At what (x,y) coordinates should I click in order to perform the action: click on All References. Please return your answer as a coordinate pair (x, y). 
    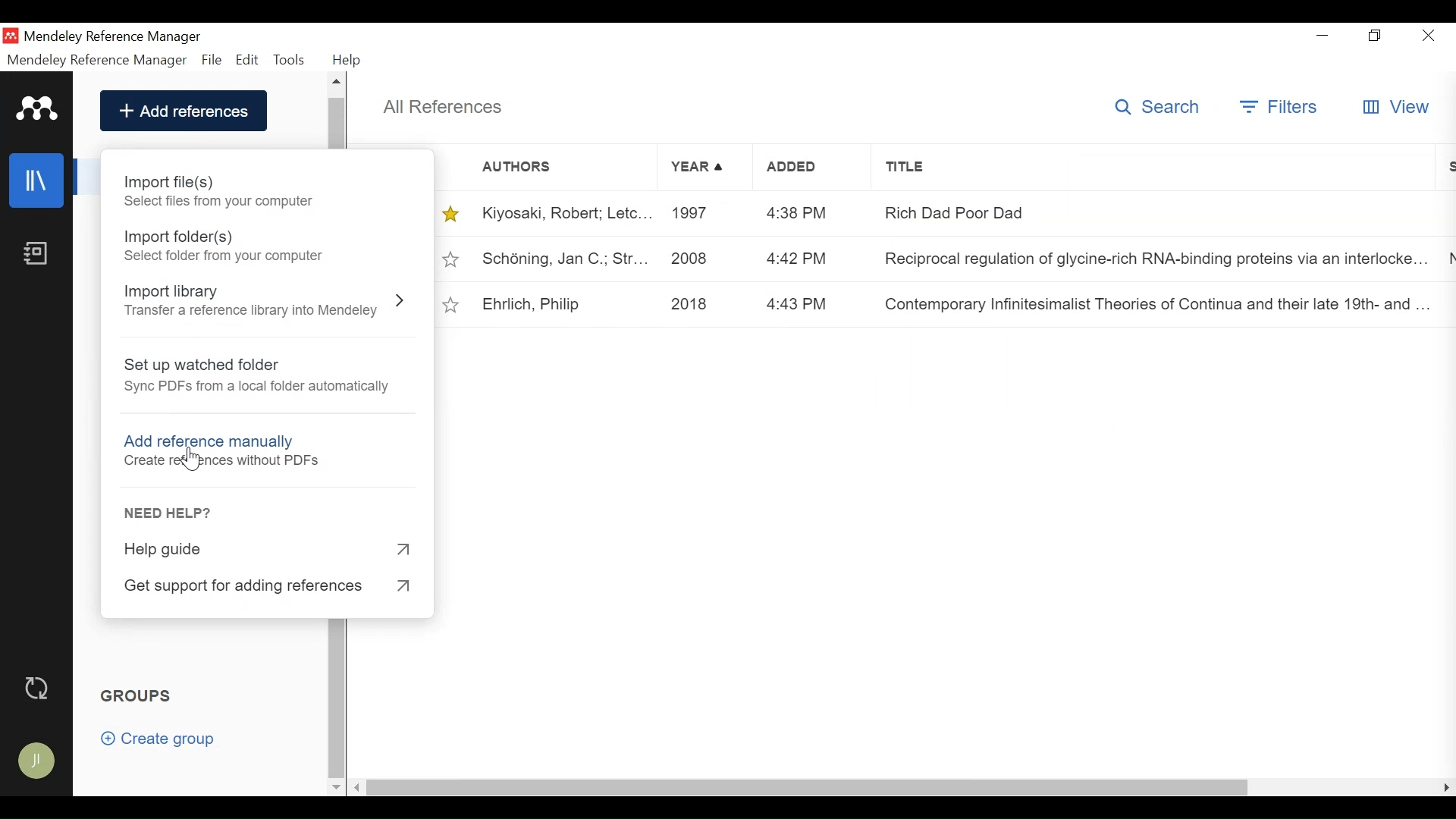
    Looking at the image, I should click on (442, 107).